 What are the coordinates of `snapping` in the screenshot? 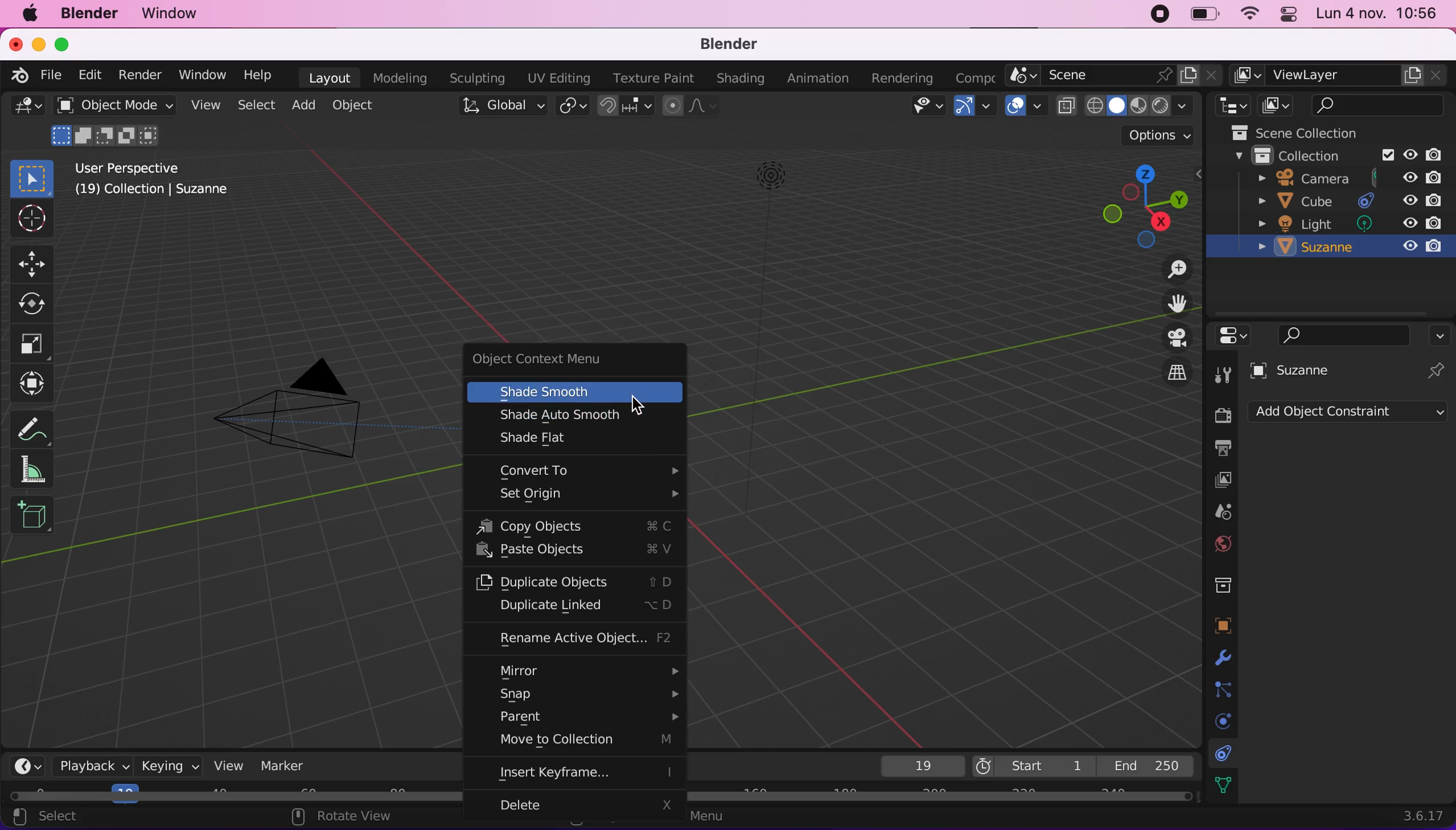 It's located at (623, 106).